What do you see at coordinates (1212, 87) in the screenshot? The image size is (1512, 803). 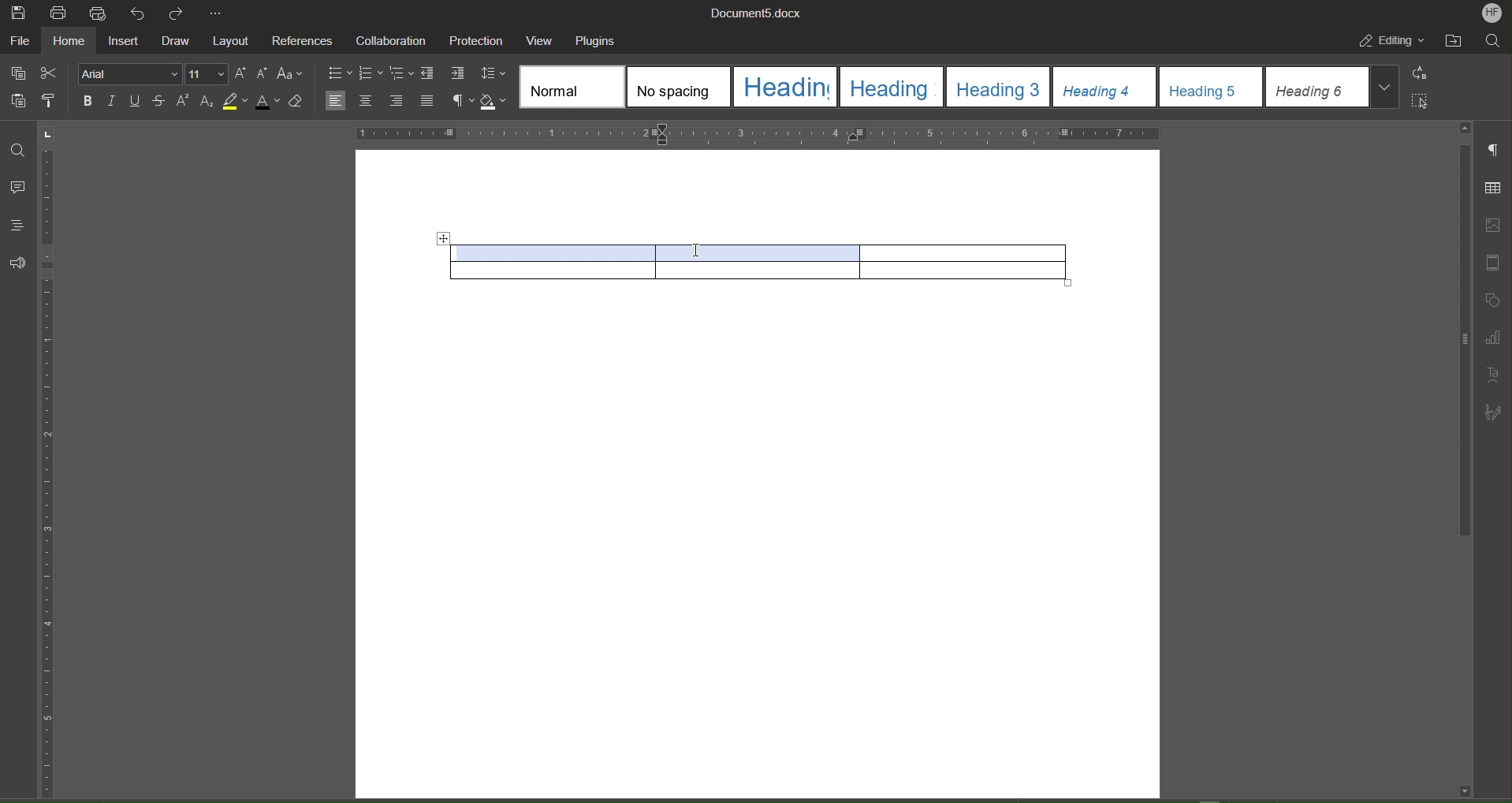 I see `heading 5` at bounding box center [1212, 87].